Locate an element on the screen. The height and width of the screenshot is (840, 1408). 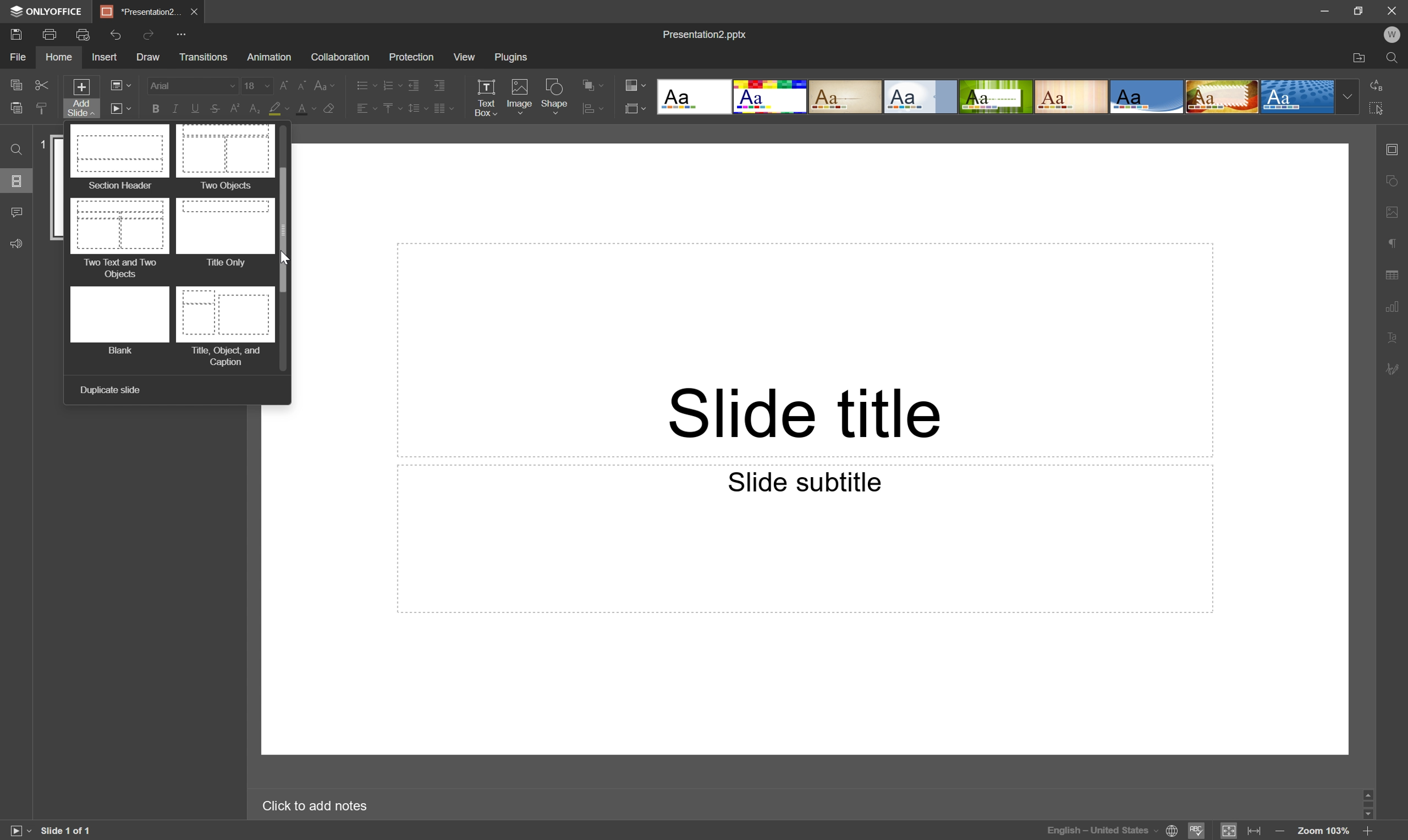
W is located at coordinates (1391, 32).